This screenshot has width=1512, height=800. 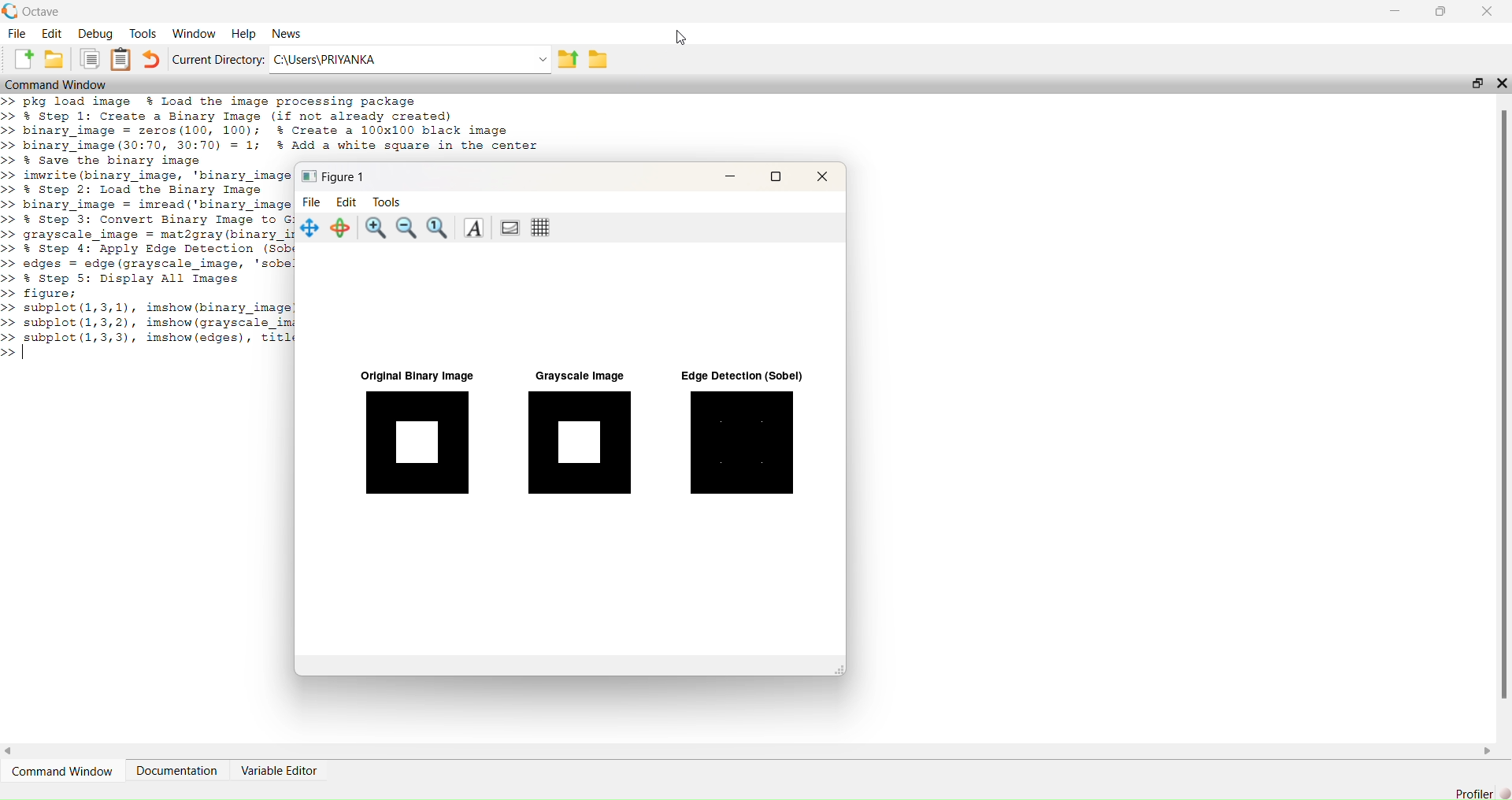 What do you see at coordinates (743, 443) in the screenshot?
I see `Edge Detection (Sobel)` at bounding box center [743, 443].